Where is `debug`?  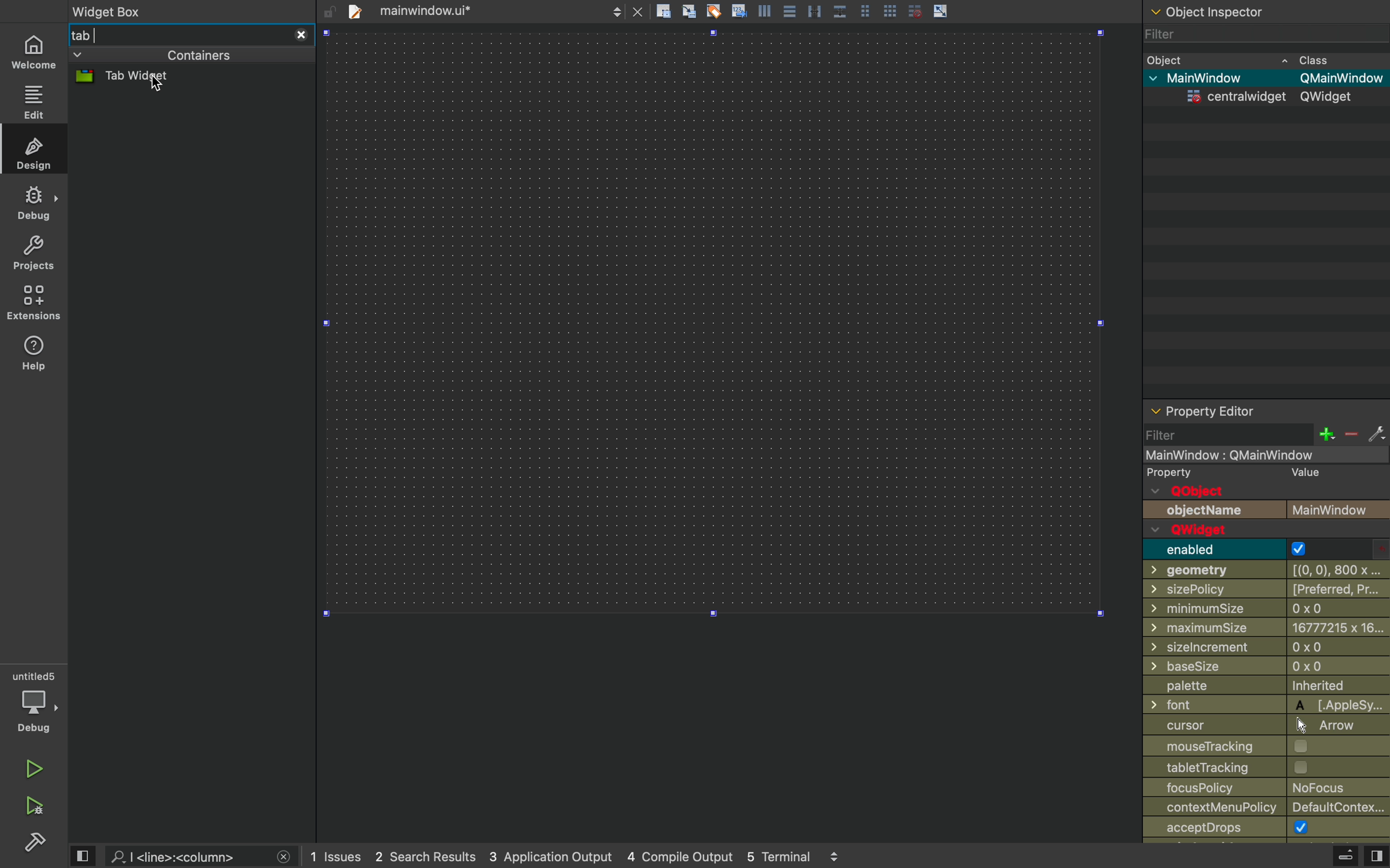
debug is located at coordinates (37, 702).